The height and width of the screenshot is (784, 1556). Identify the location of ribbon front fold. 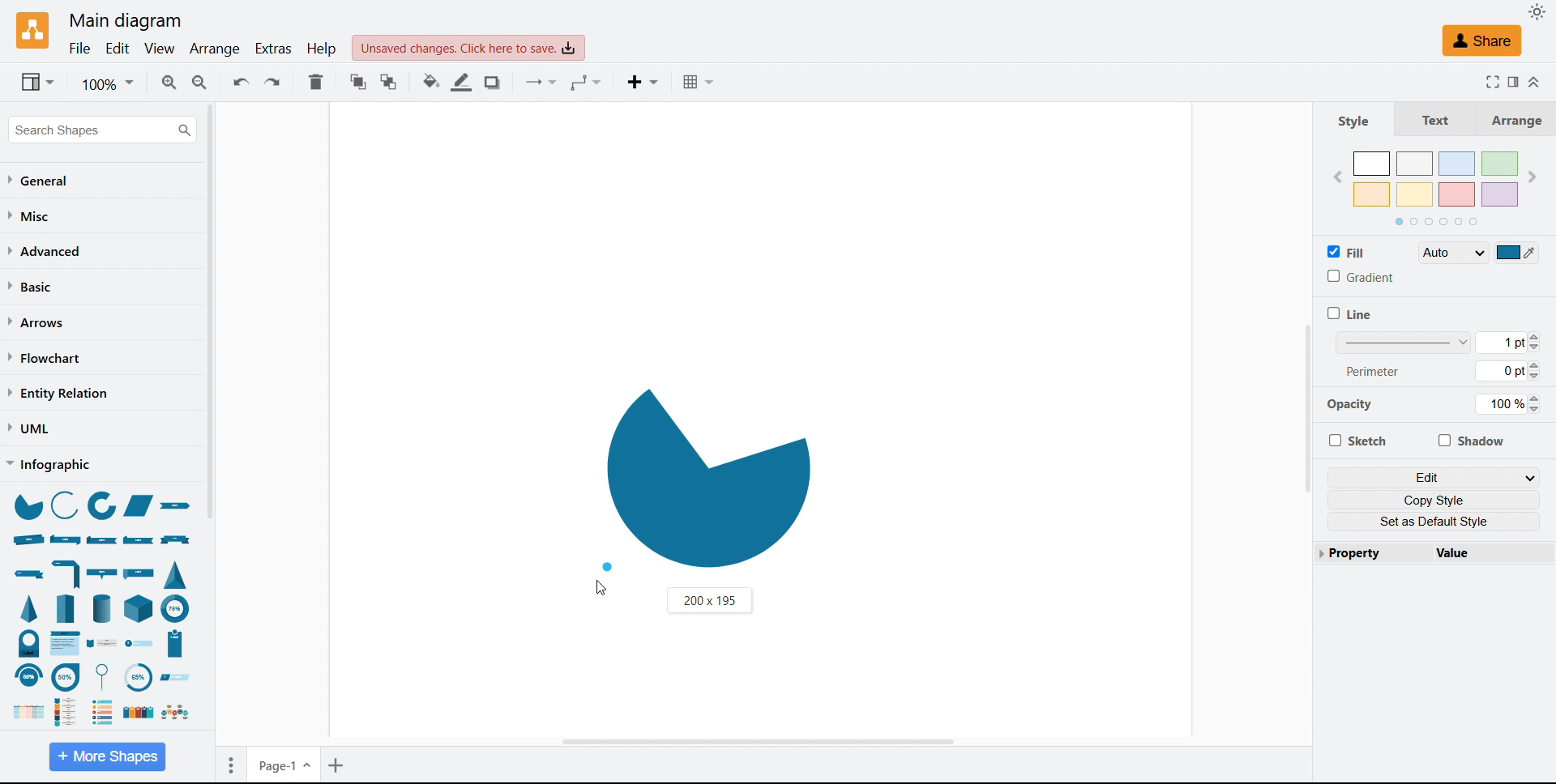
(103, 540).